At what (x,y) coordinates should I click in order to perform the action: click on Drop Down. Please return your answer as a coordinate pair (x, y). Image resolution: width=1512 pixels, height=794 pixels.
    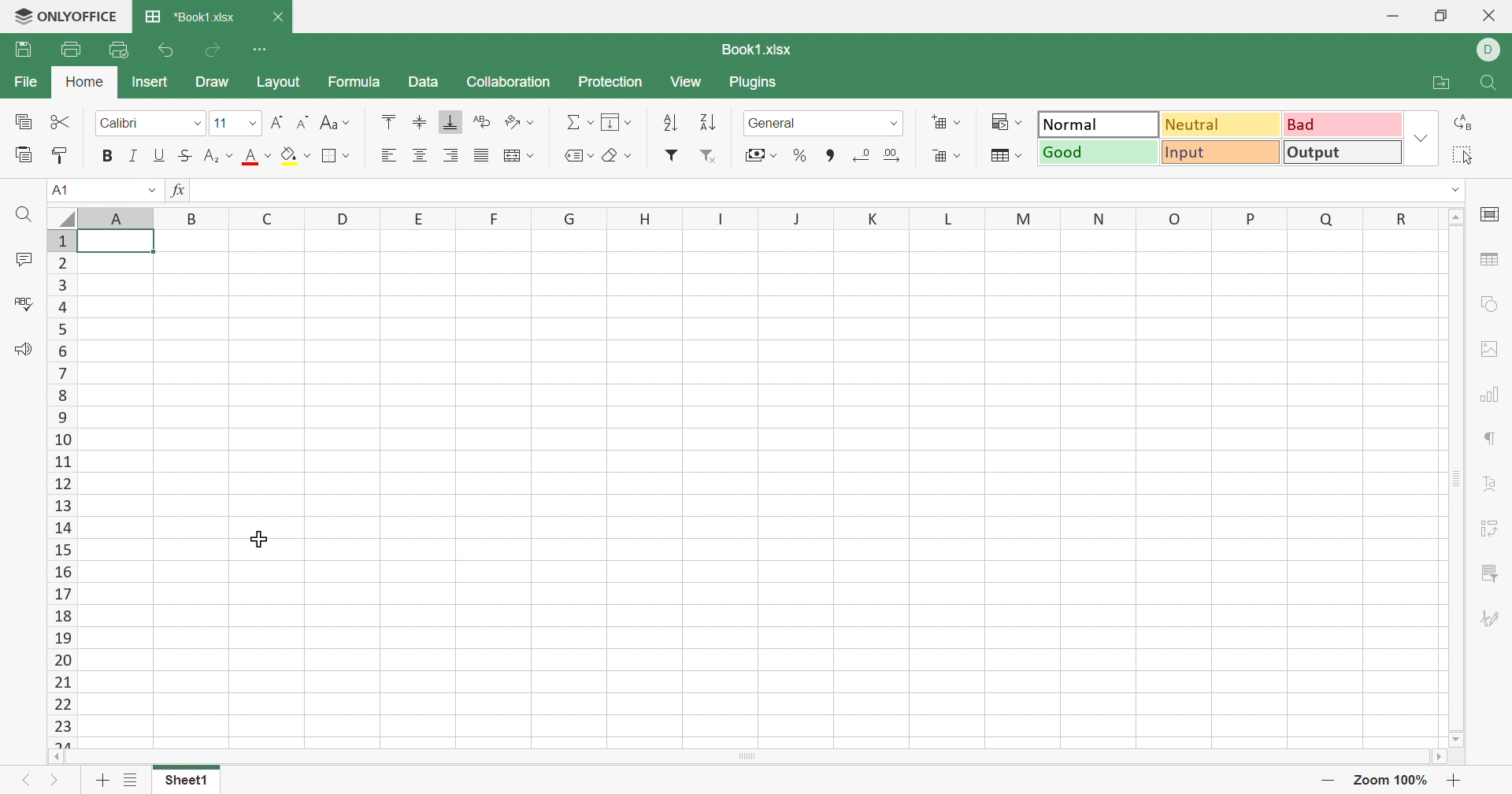
    Looking at the image, I should click on (254, 124).